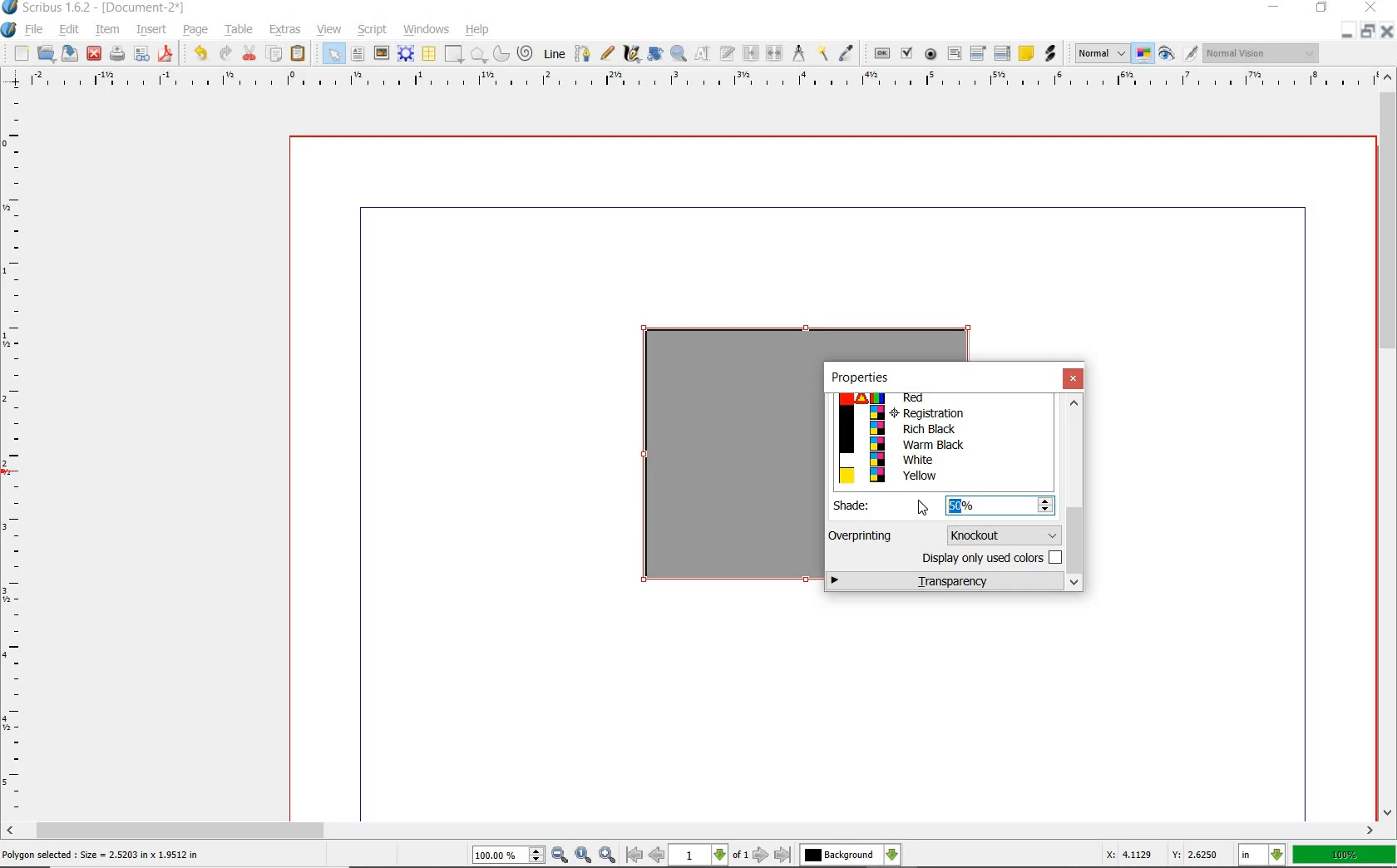 Image resolution: width=1397 pixels, height=868 pixels. I want to click on pdf check box, so click(906, 54).